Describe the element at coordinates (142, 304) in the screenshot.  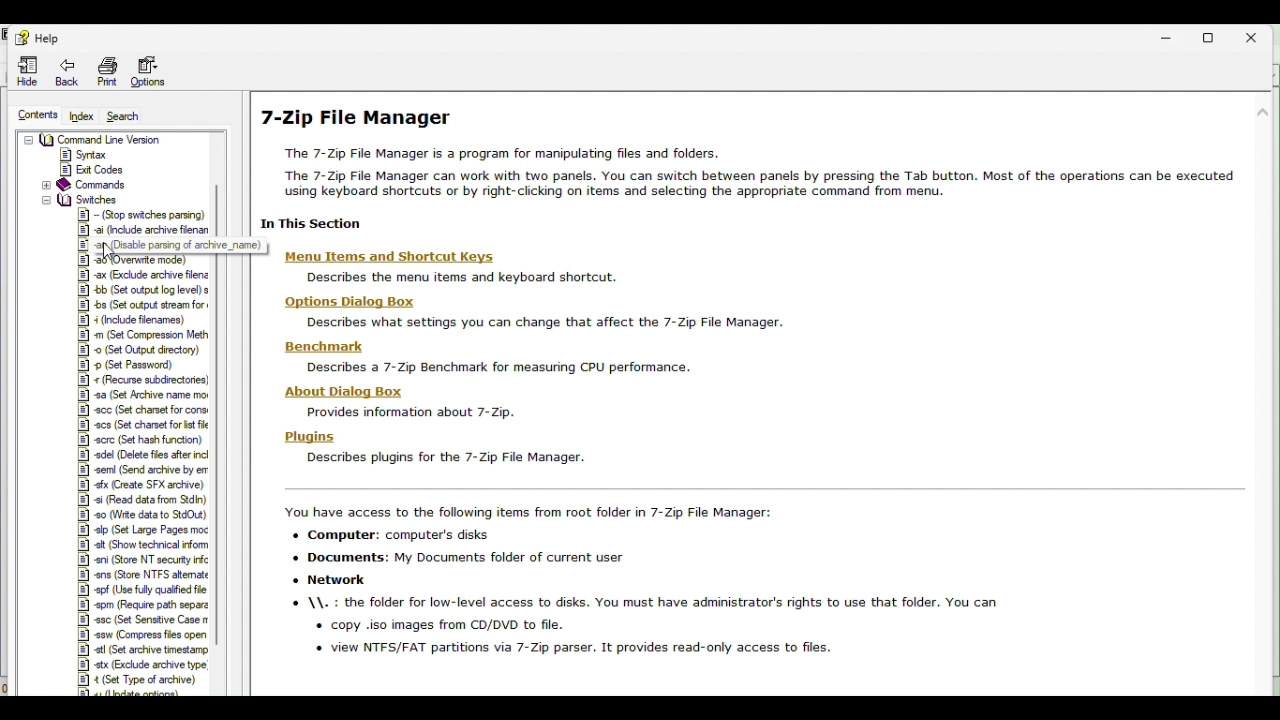
I see `§] bs (Set output stream for «` at that location.